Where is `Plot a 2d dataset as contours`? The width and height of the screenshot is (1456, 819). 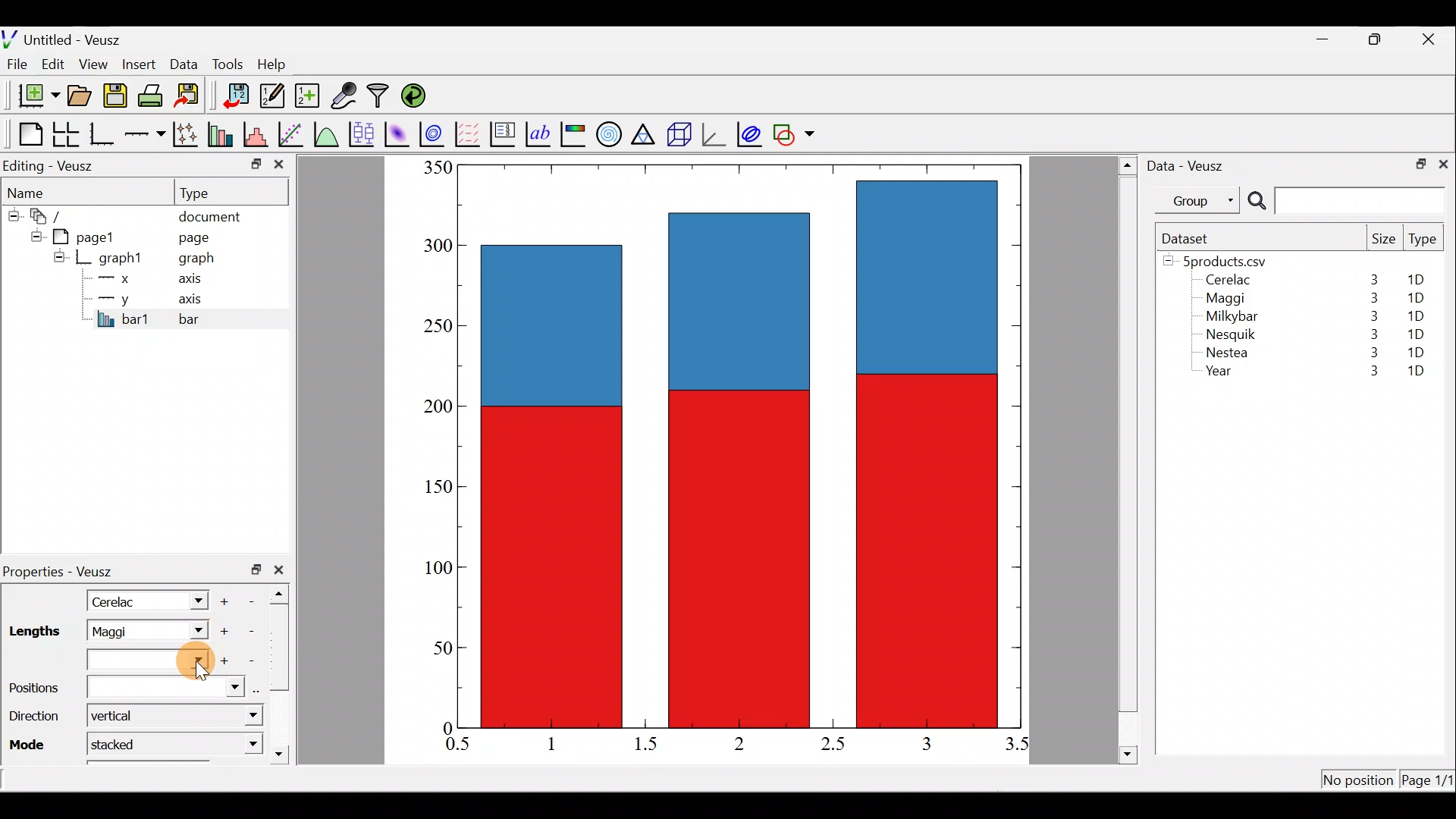 Plot a 2d dataset as contours is located at coordinates (435, 133).